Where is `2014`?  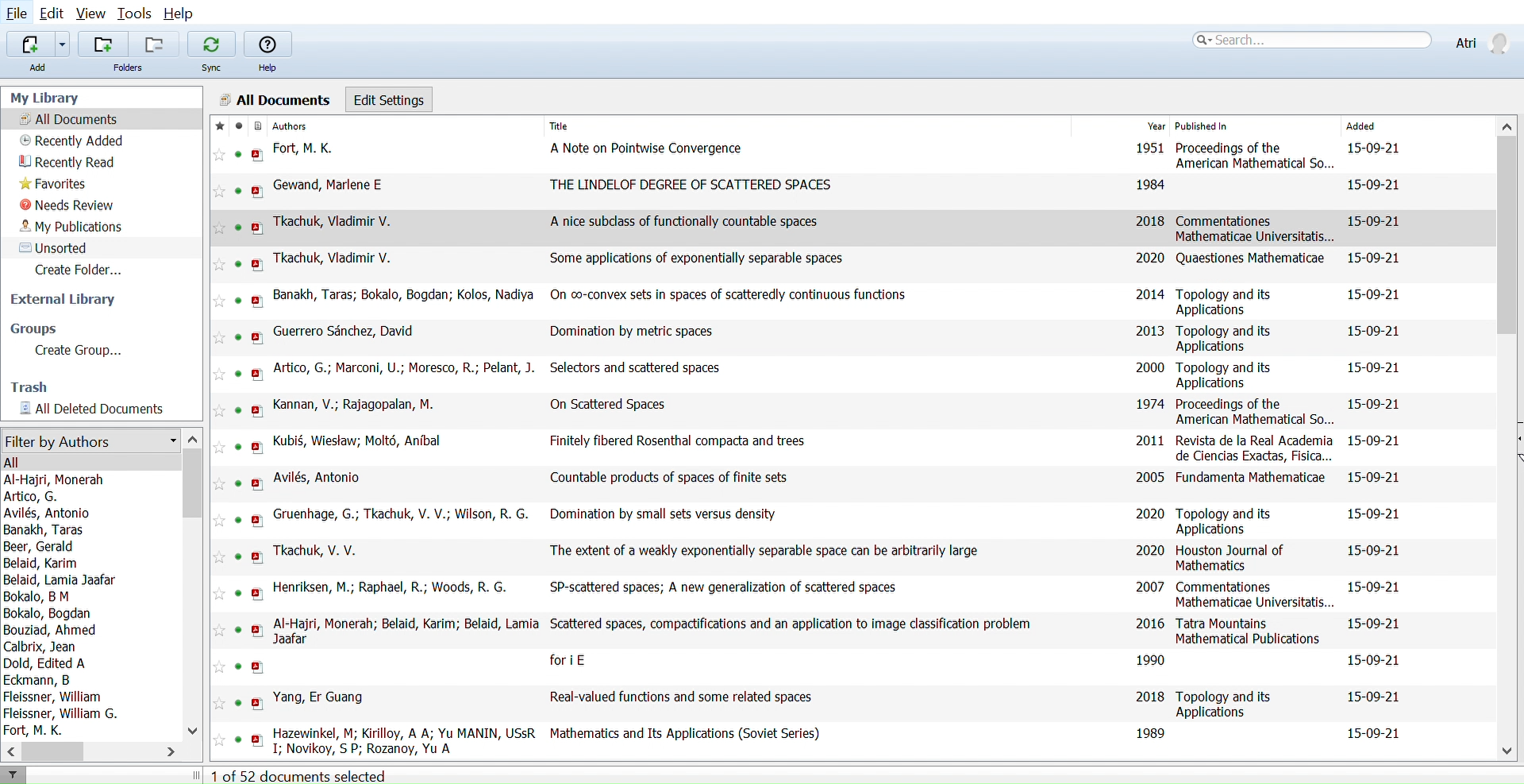
2014 is located at coordinates (1150, 294).